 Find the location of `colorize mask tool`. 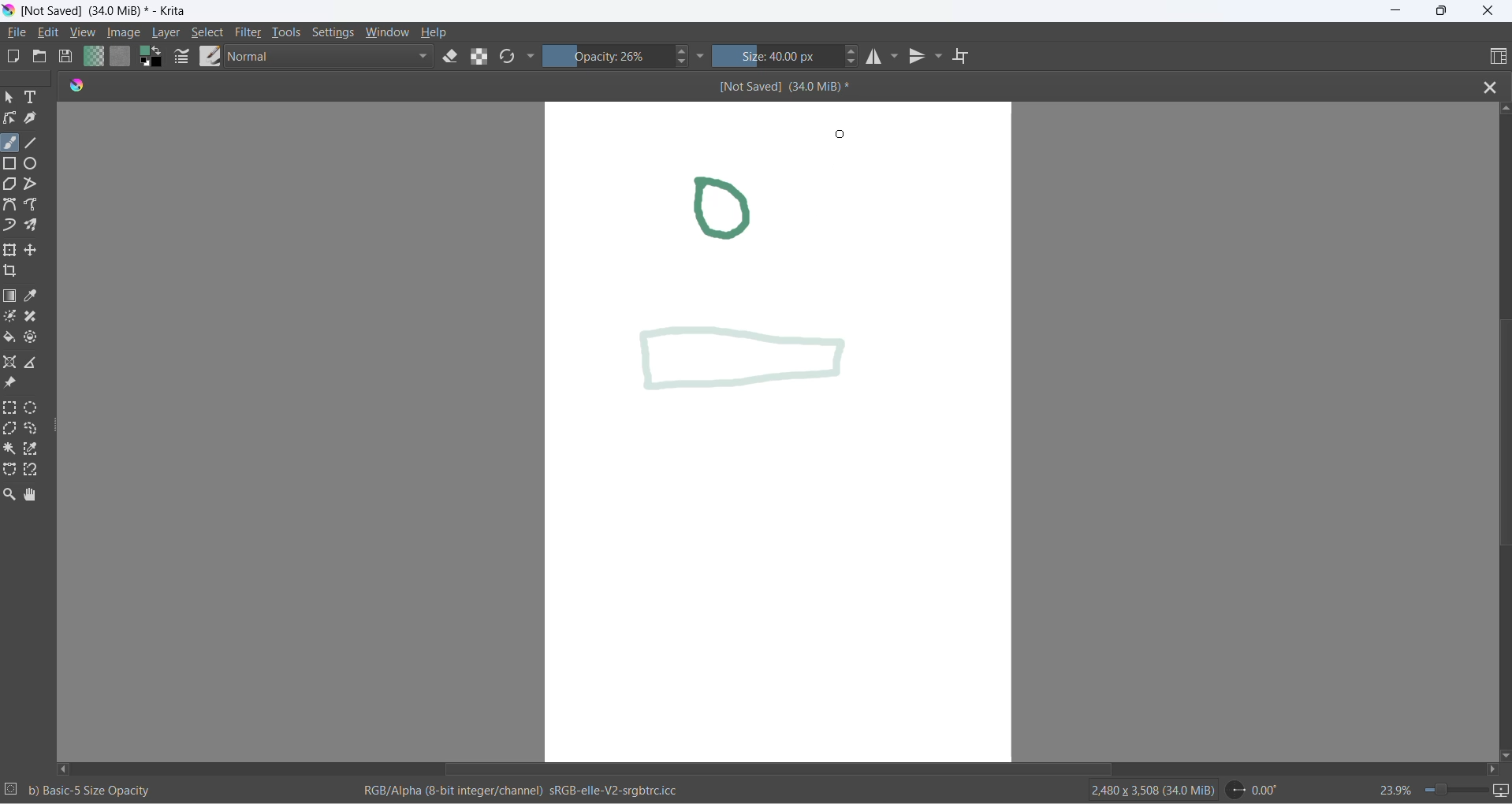

colorize mask tool is located at coordinates (12, 317).